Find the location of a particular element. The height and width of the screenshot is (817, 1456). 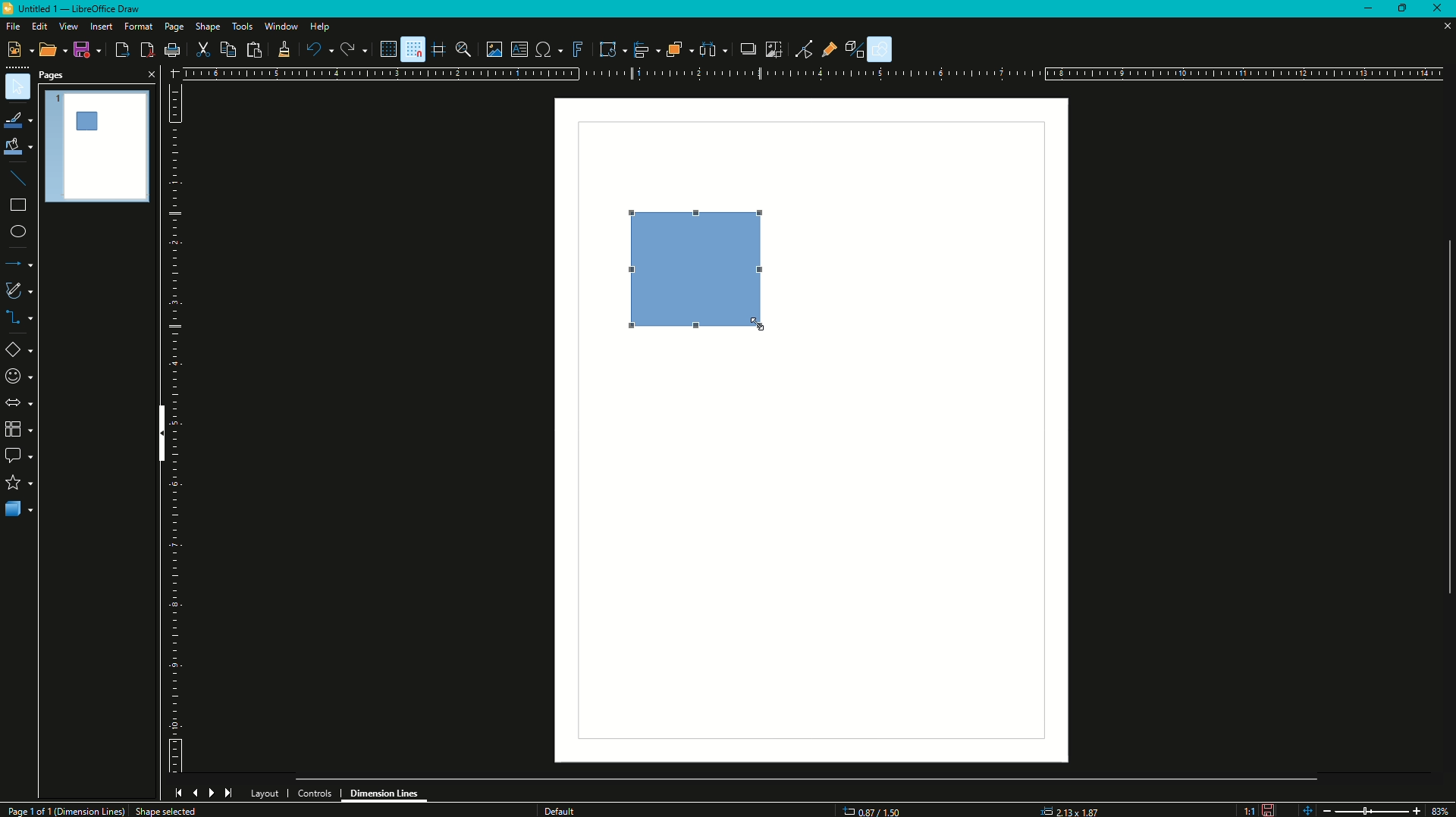

Cursor is located at coordinates (760, 322).